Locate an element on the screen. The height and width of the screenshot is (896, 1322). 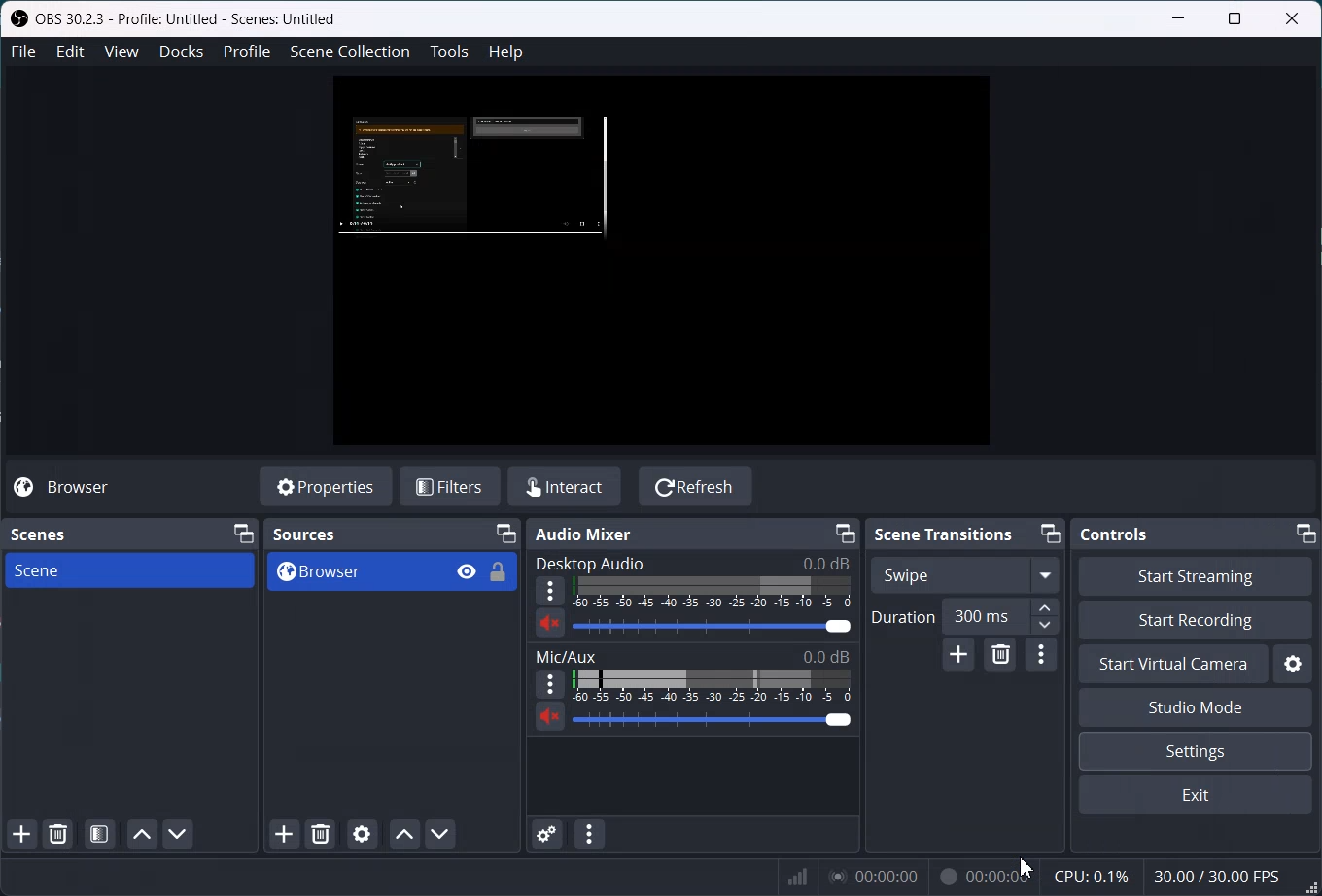
Browser is located at coordinates (354, 572).